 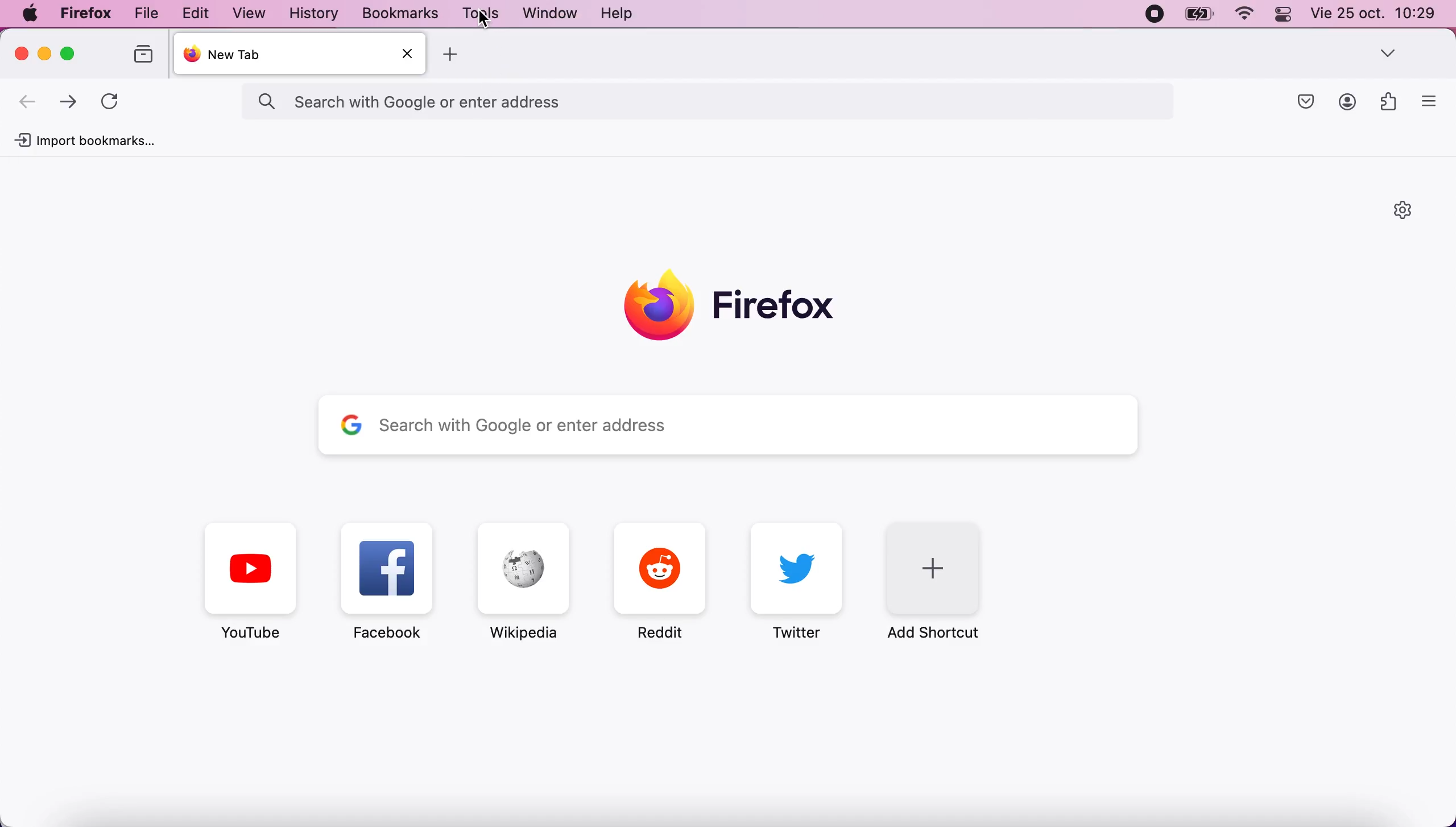 I want to click on Search bar, so click(x=731, y=424).